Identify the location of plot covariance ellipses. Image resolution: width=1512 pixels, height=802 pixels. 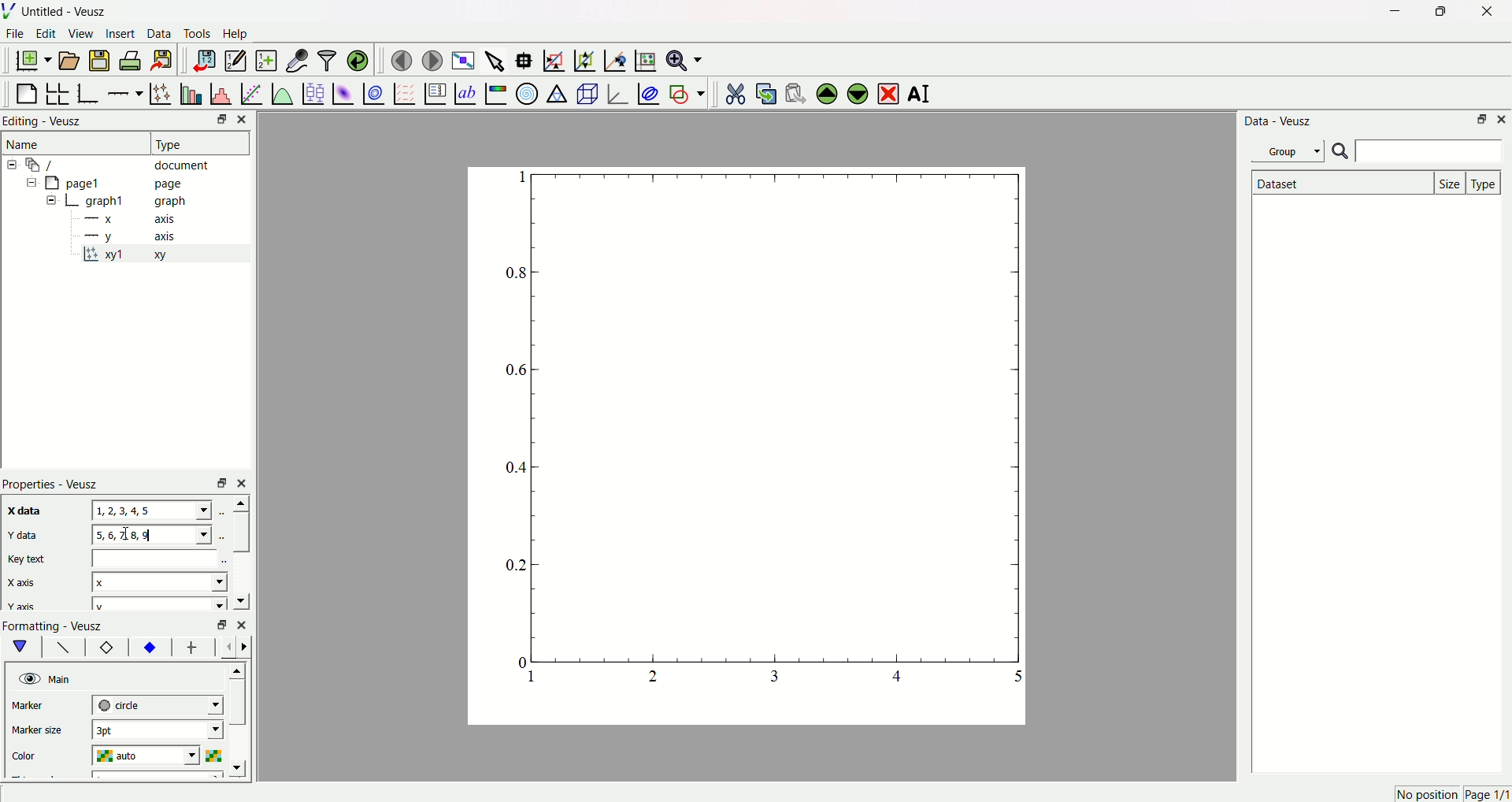
(647, 91).